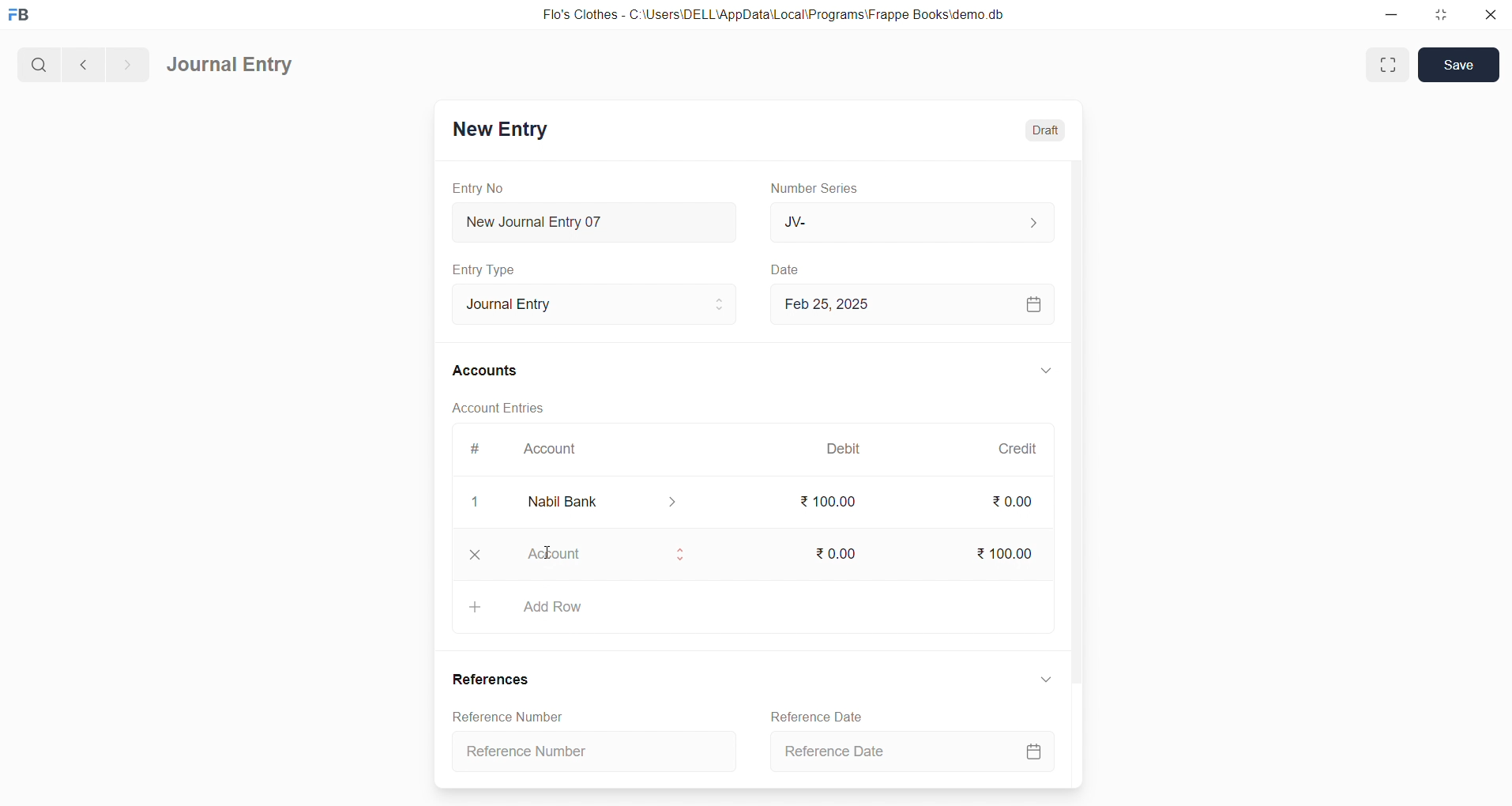 The width and height of the screenshot is (1512, 806). Describe the element at coordinates (586, 751) in the screenshot. I see `Reference Number` at that location.